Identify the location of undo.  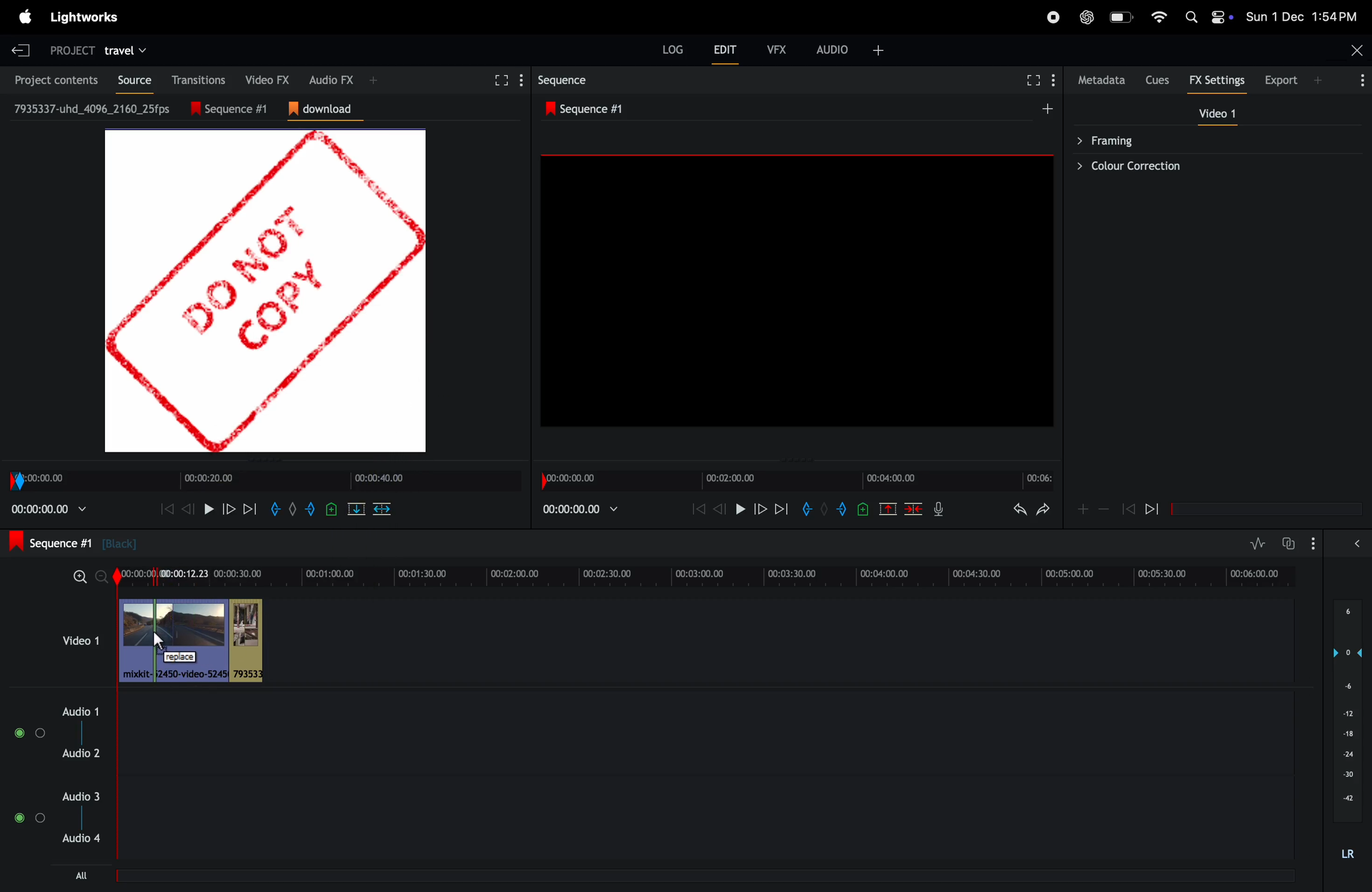
(1020, 509).